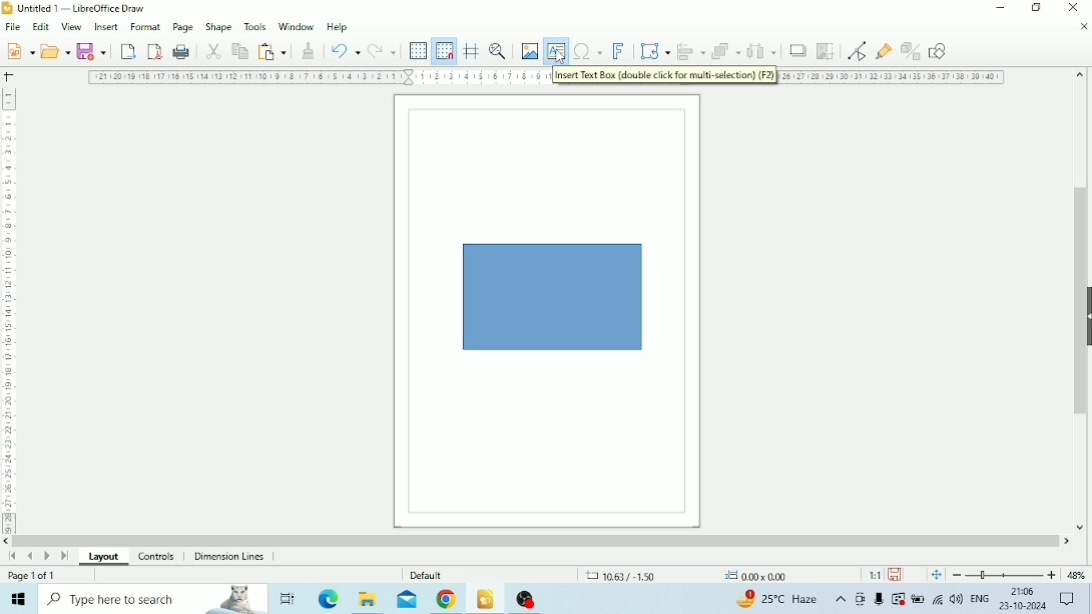 Image resolution: width=1092 pixels, height=614 pixels. Describe the element at coordinates (1024, 607) in the screenshot. I see `Date` at that location.